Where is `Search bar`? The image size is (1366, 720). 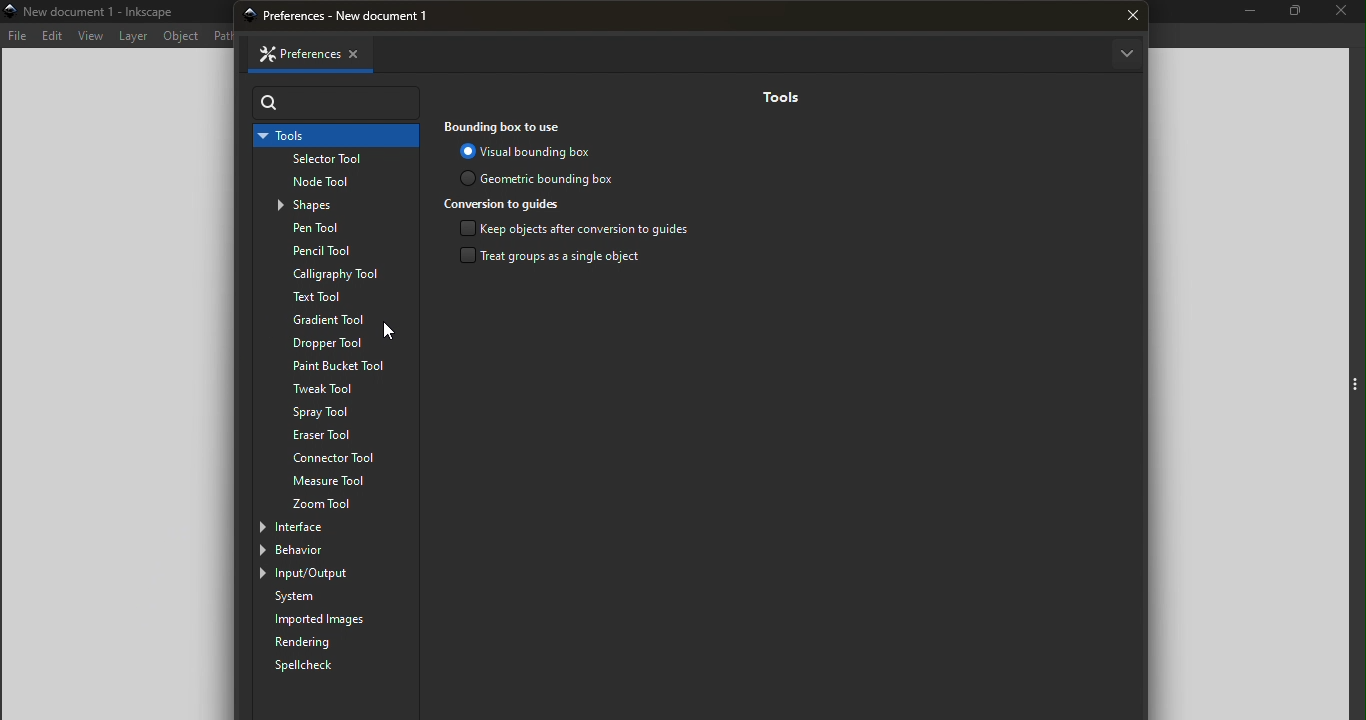 Search bar is located at coordinates (338, 103).